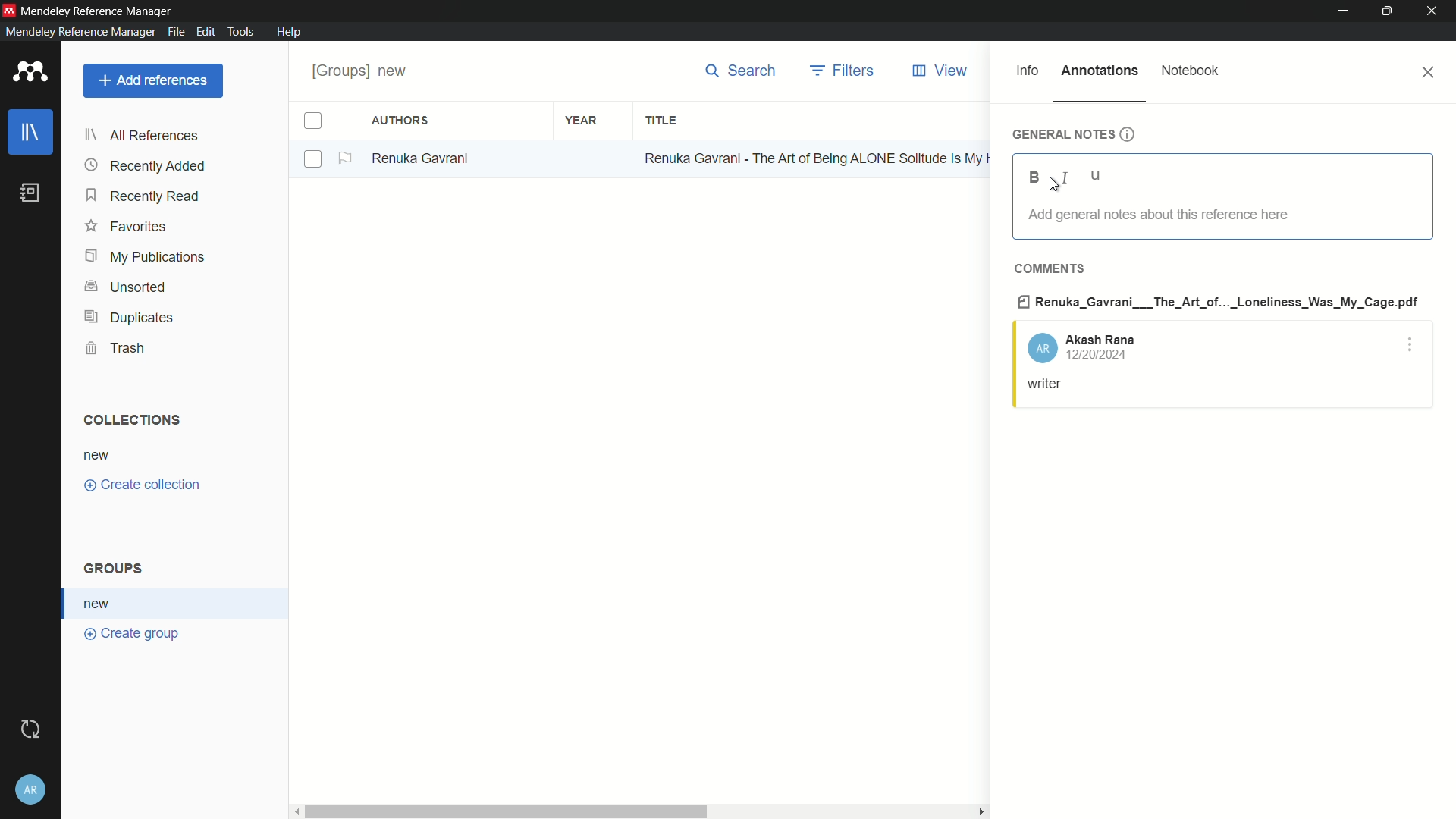 The width and height of the screenshot is (1456, 819). What do you see at coordinates (843, 71) in the screenshot?
I see `filters` at bounding box center [843, 71].